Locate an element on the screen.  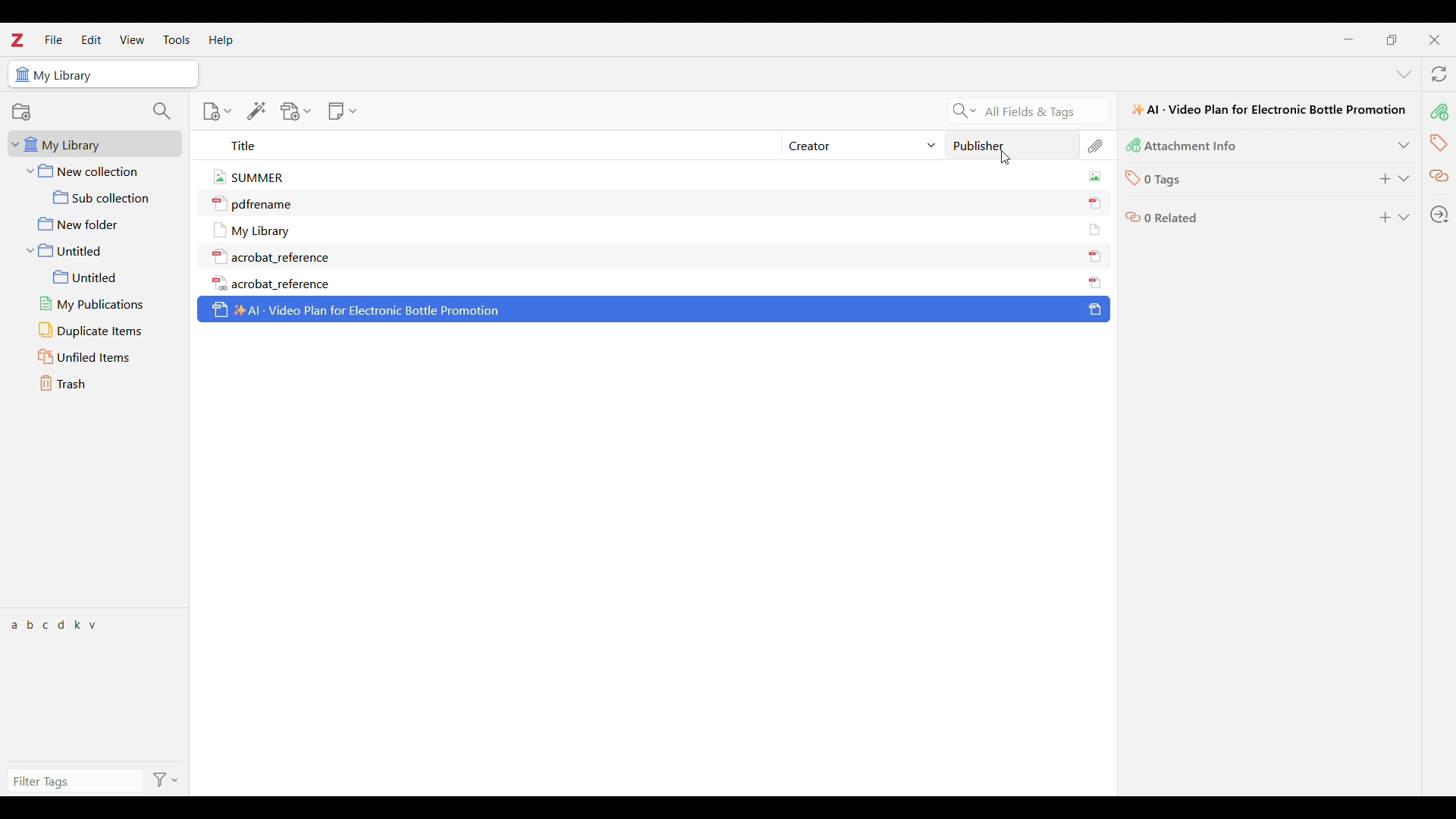
New folder is located at coordinates (96, 224).